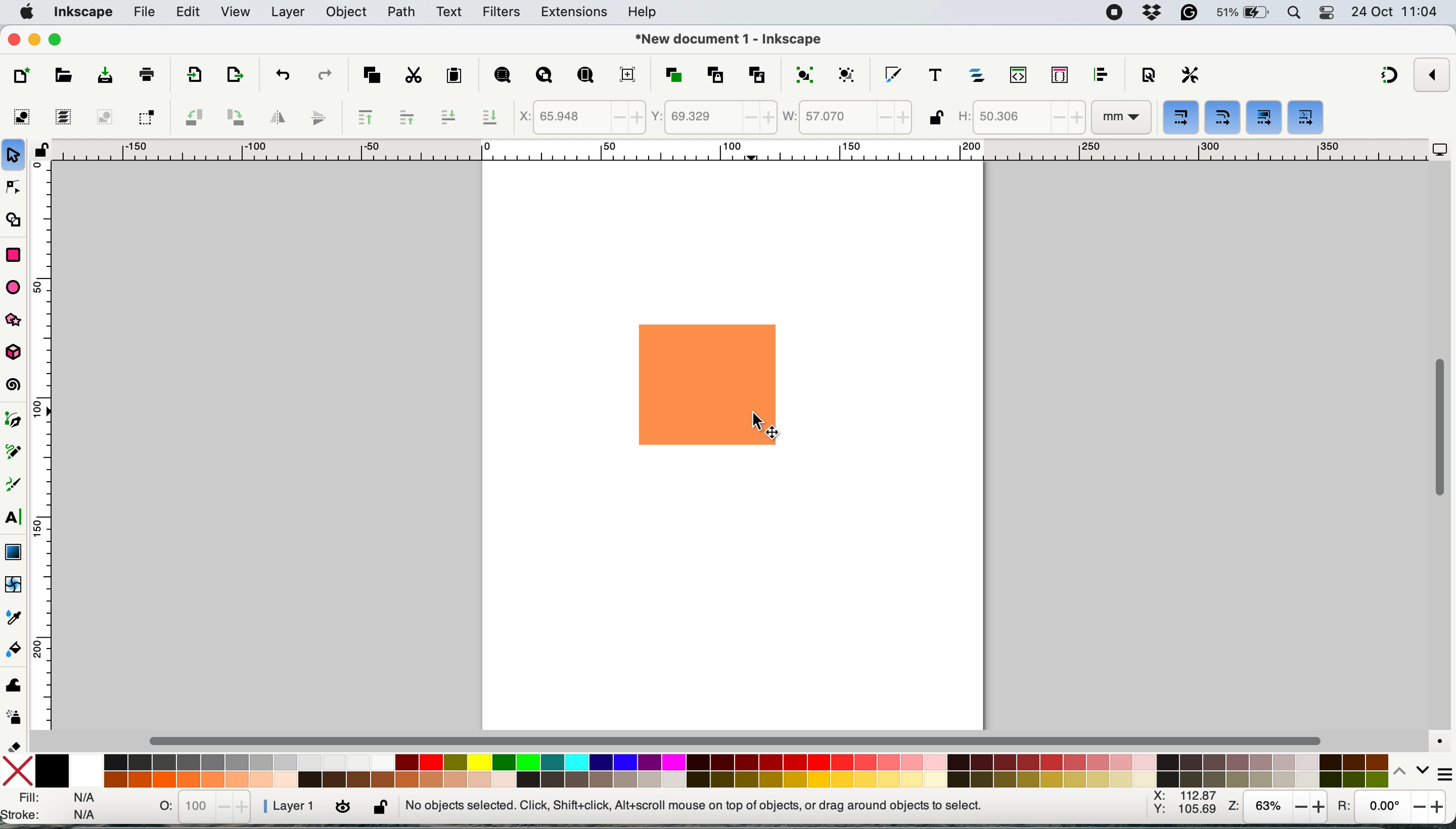 This screenshot has width=1456, height=829. Describe the element at coordinates (848, 73) in the screenshot. I see `ungroup` at that location.